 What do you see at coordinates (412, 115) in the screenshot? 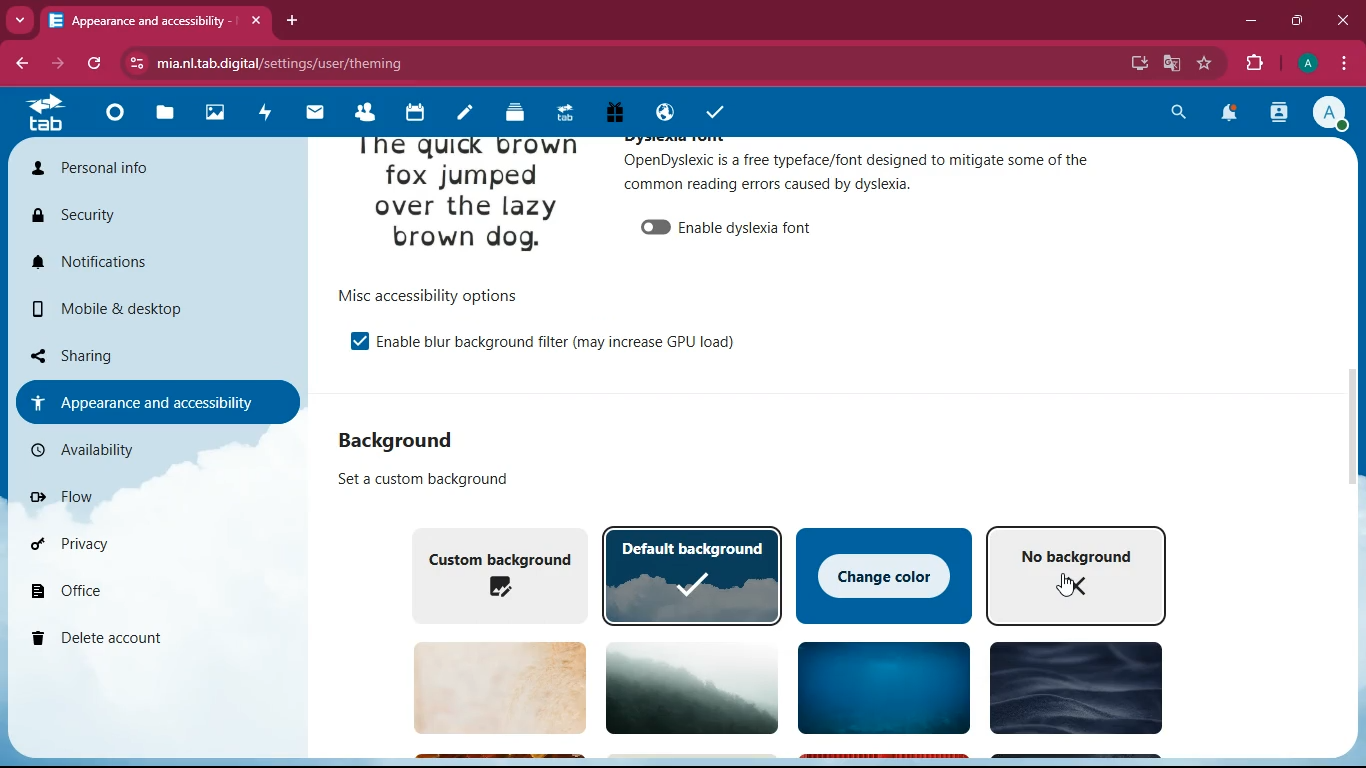
I see `calendar` at bounding box center [412, 115].